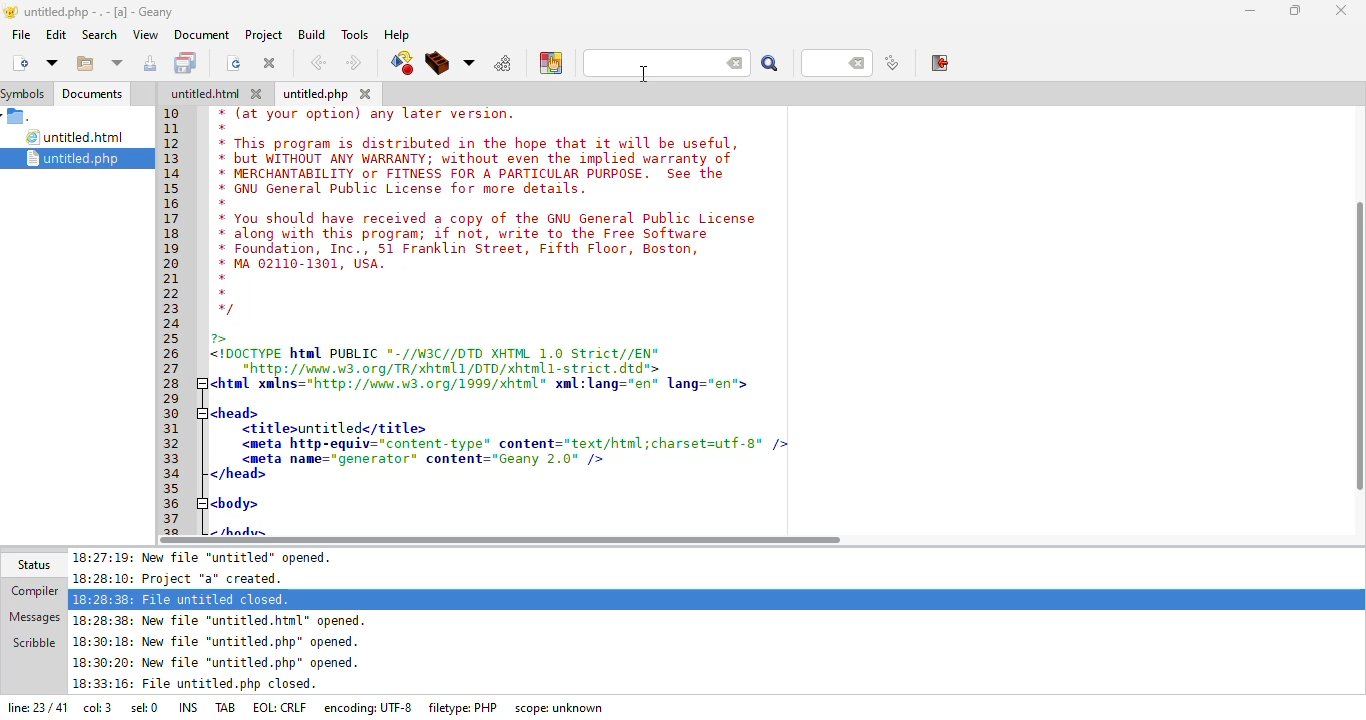  What do you see at coordinates (172, 295) in the screenshot?
I see `22` at bounding box center [172, 295].